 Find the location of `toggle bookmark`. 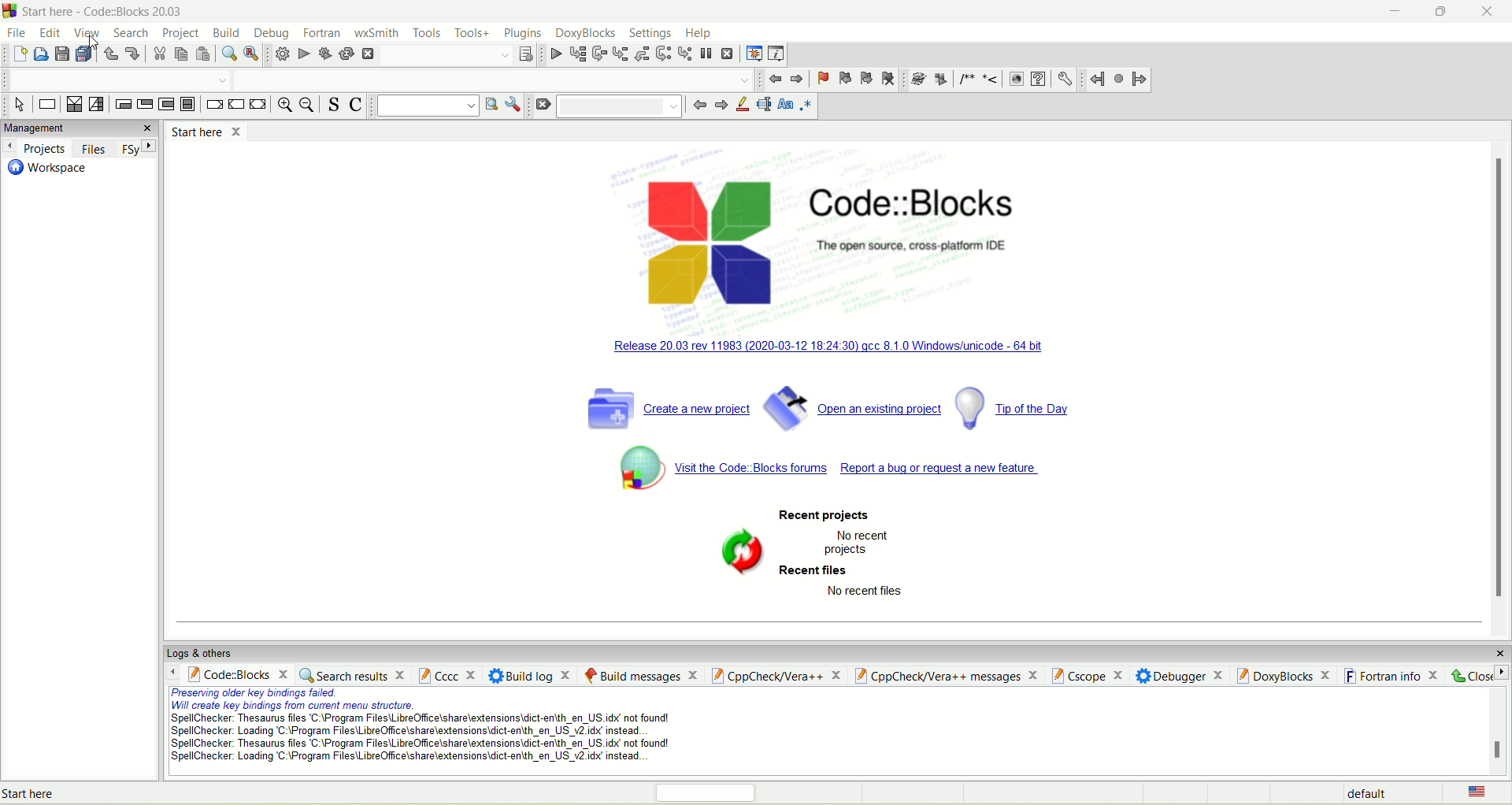

toggle bookmark is located at coordinates (822, 77).